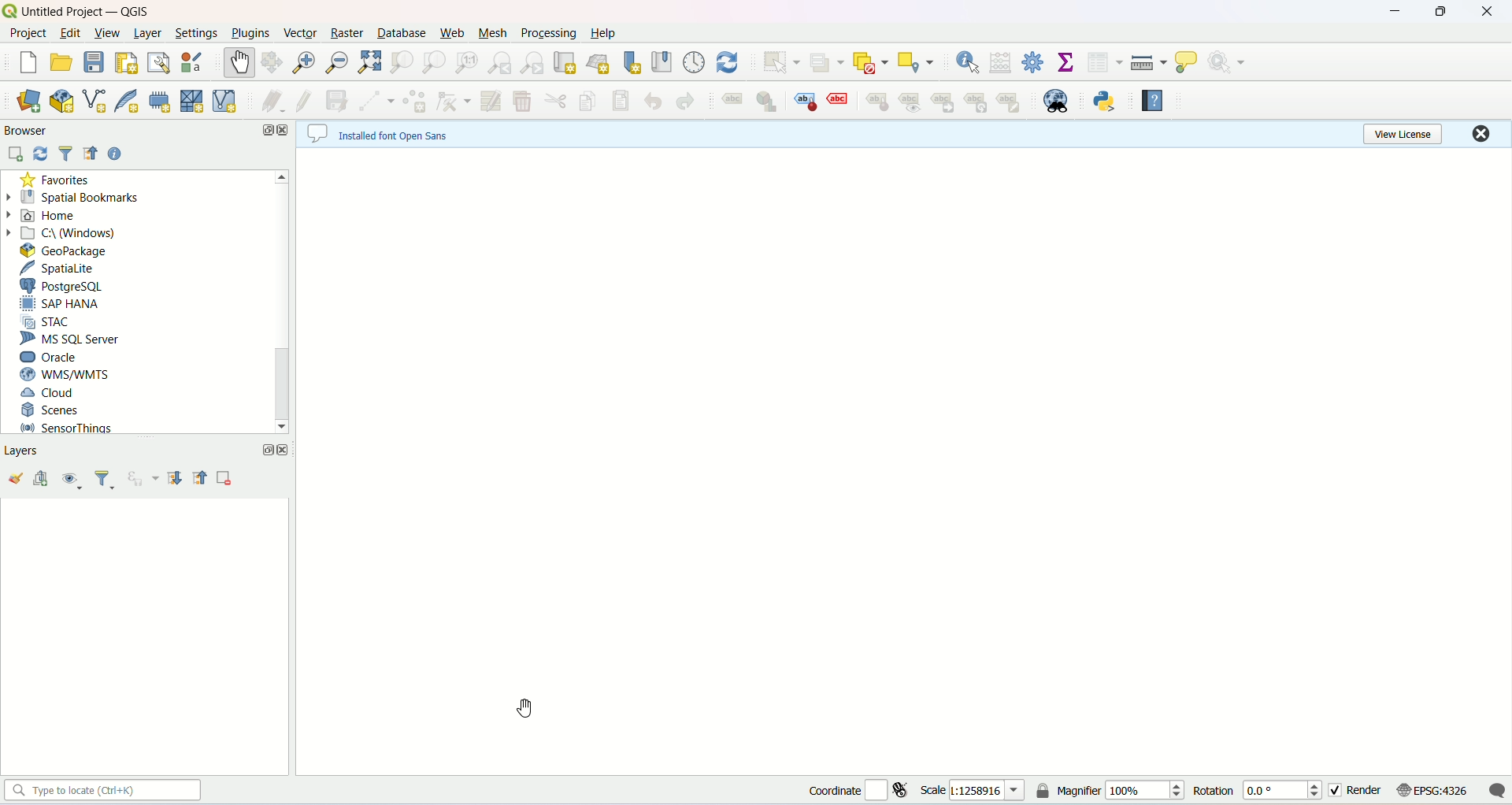  I want to click on pin/unpin labels and diagram, so click(873, 101).